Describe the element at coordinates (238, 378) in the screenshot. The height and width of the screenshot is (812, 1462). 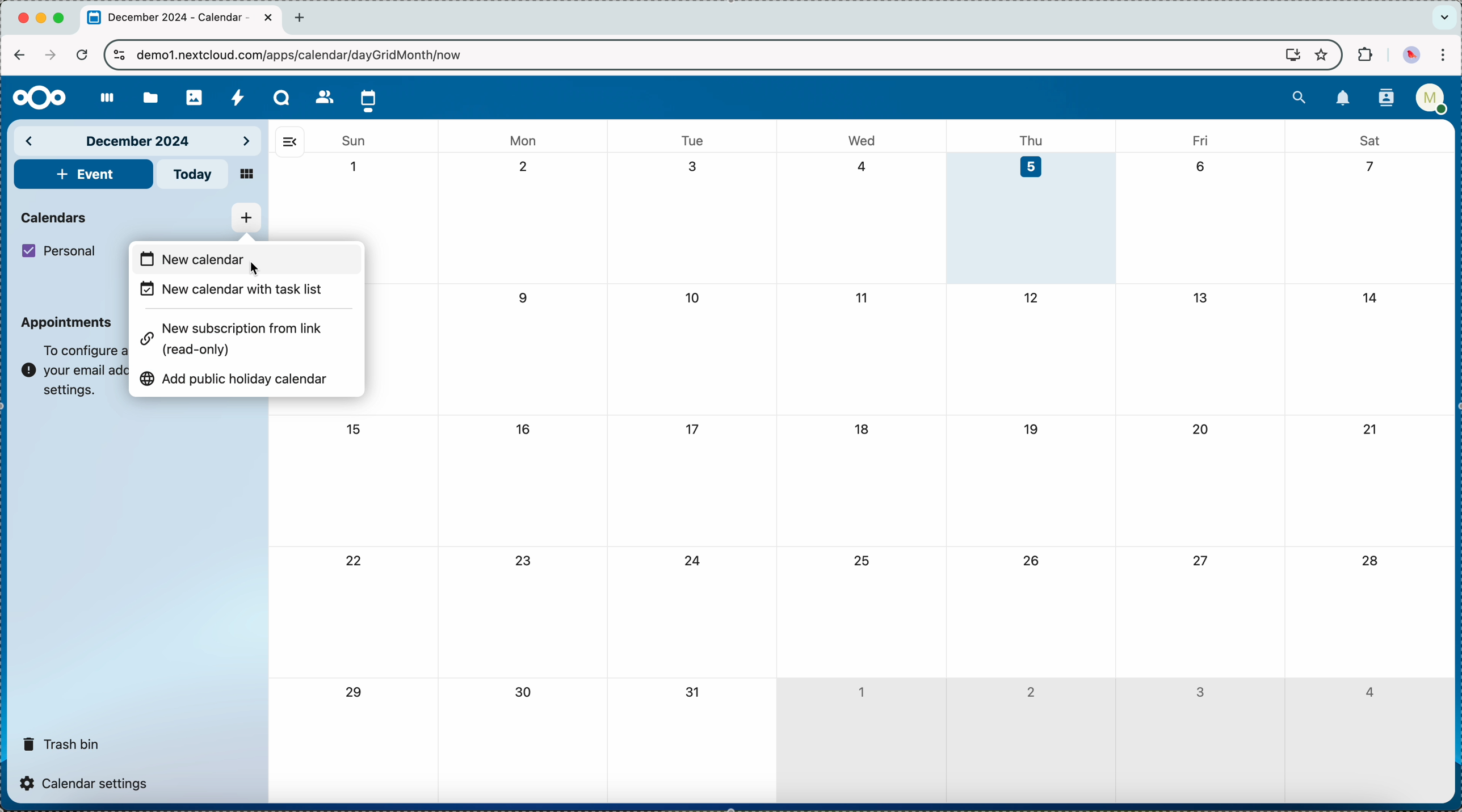
I see `add public holiday calendar` at that location.